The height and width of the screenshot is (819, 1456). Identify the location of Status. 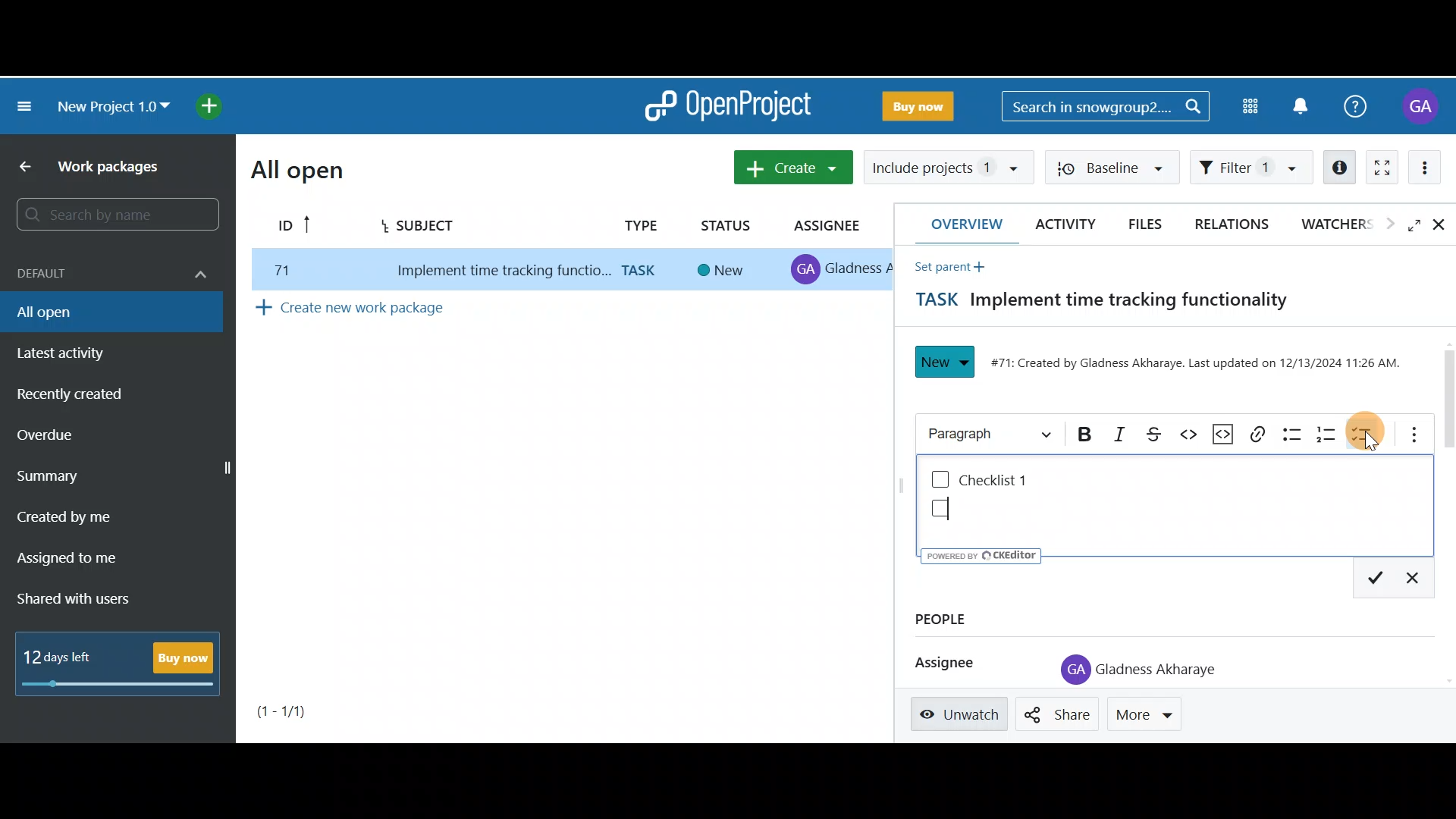
(727, 222).